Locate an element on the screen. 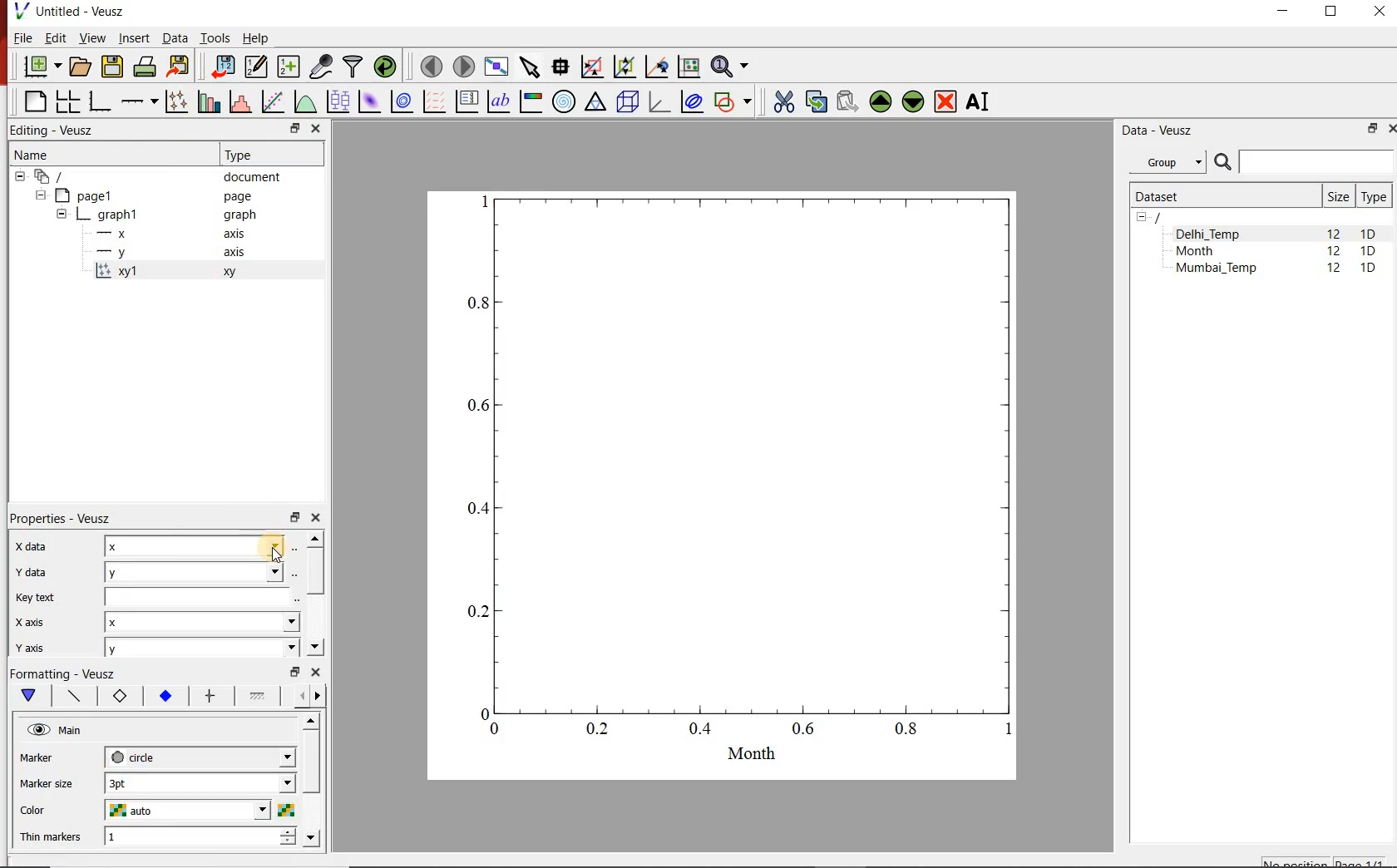 This screenshot has height=868, width=1397. Delhi_Temp is located at coordinates (1211, 234).